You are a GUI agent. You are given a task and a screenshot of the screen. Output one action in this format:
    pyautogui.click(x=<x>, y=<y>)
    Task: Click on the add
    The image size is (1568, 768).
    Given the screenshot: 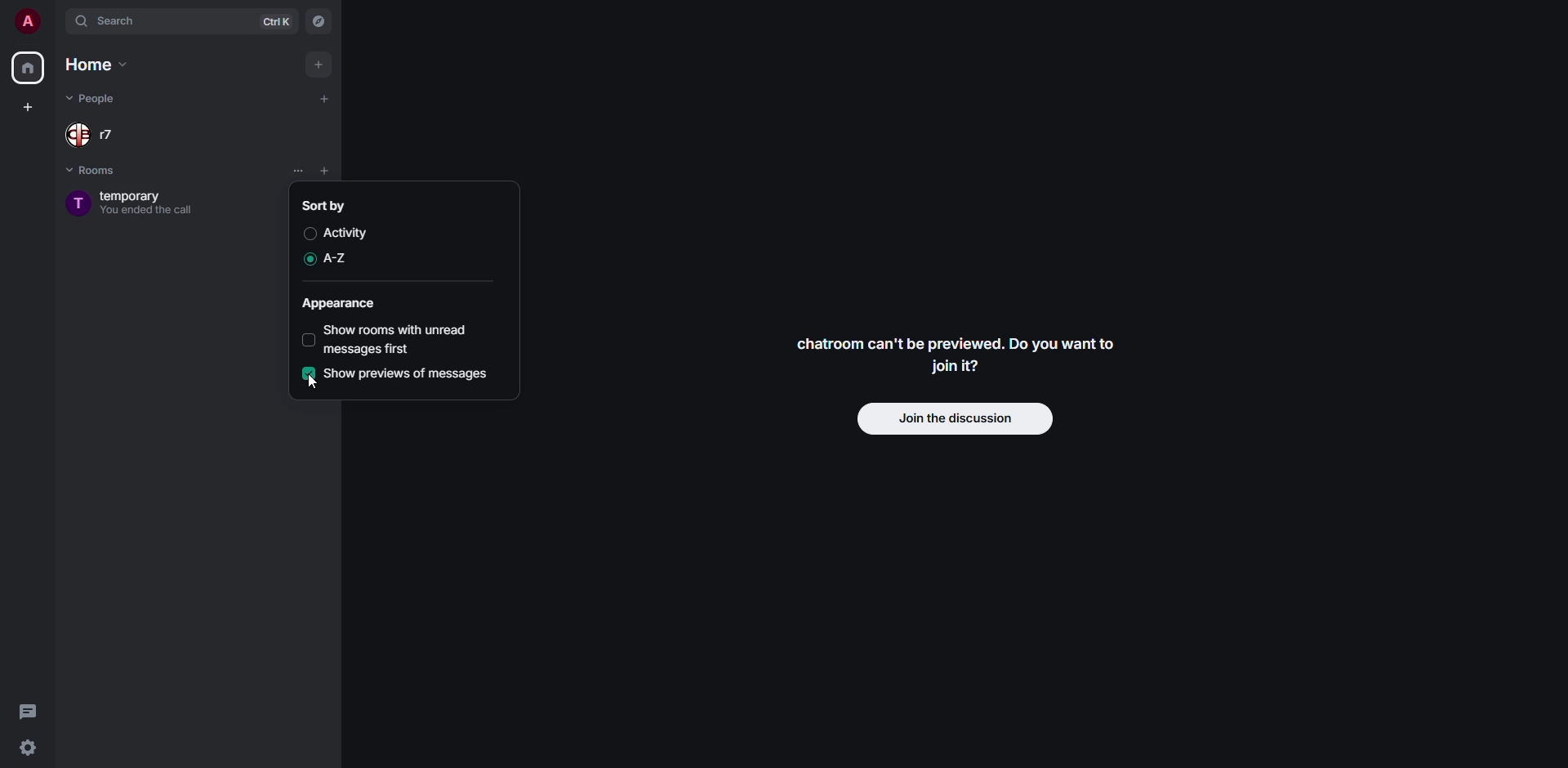 What is the action you would take?
    pyautogui.click(x=319, y=65)
    